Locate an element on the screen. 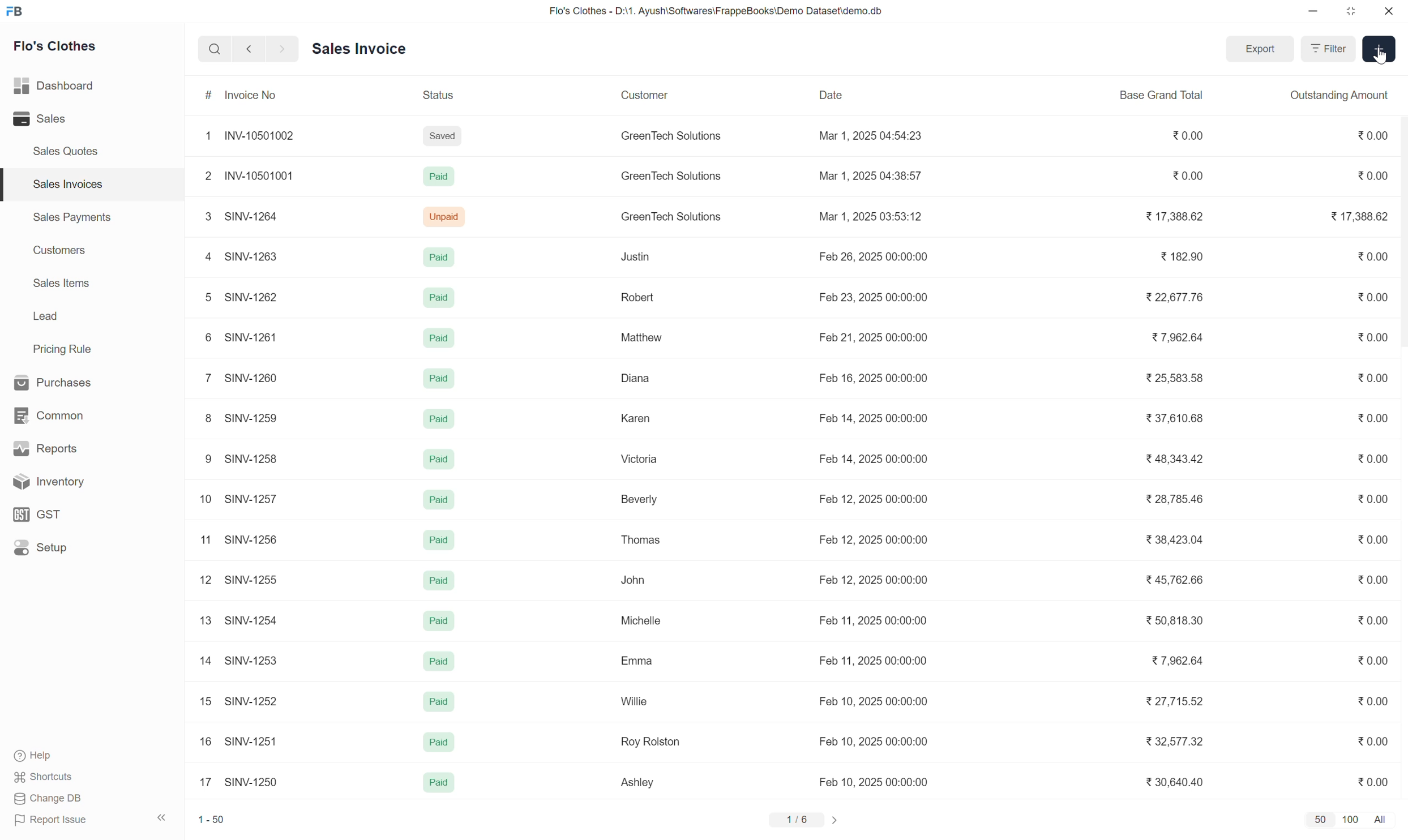  1 is located at coordinates (206, 139).